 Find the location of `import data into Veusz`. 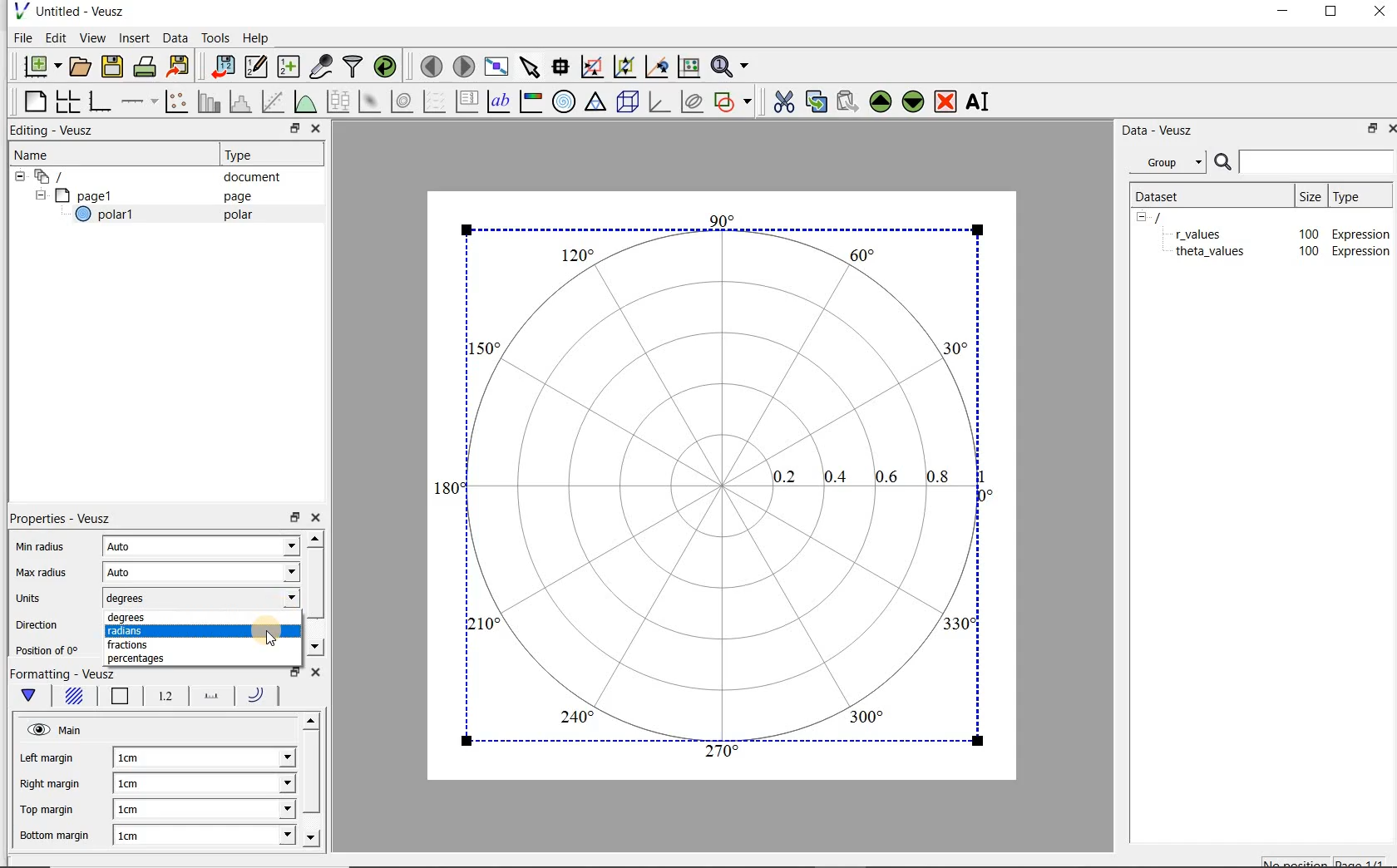

import data into Veusz is located at coordinates (221, 67).